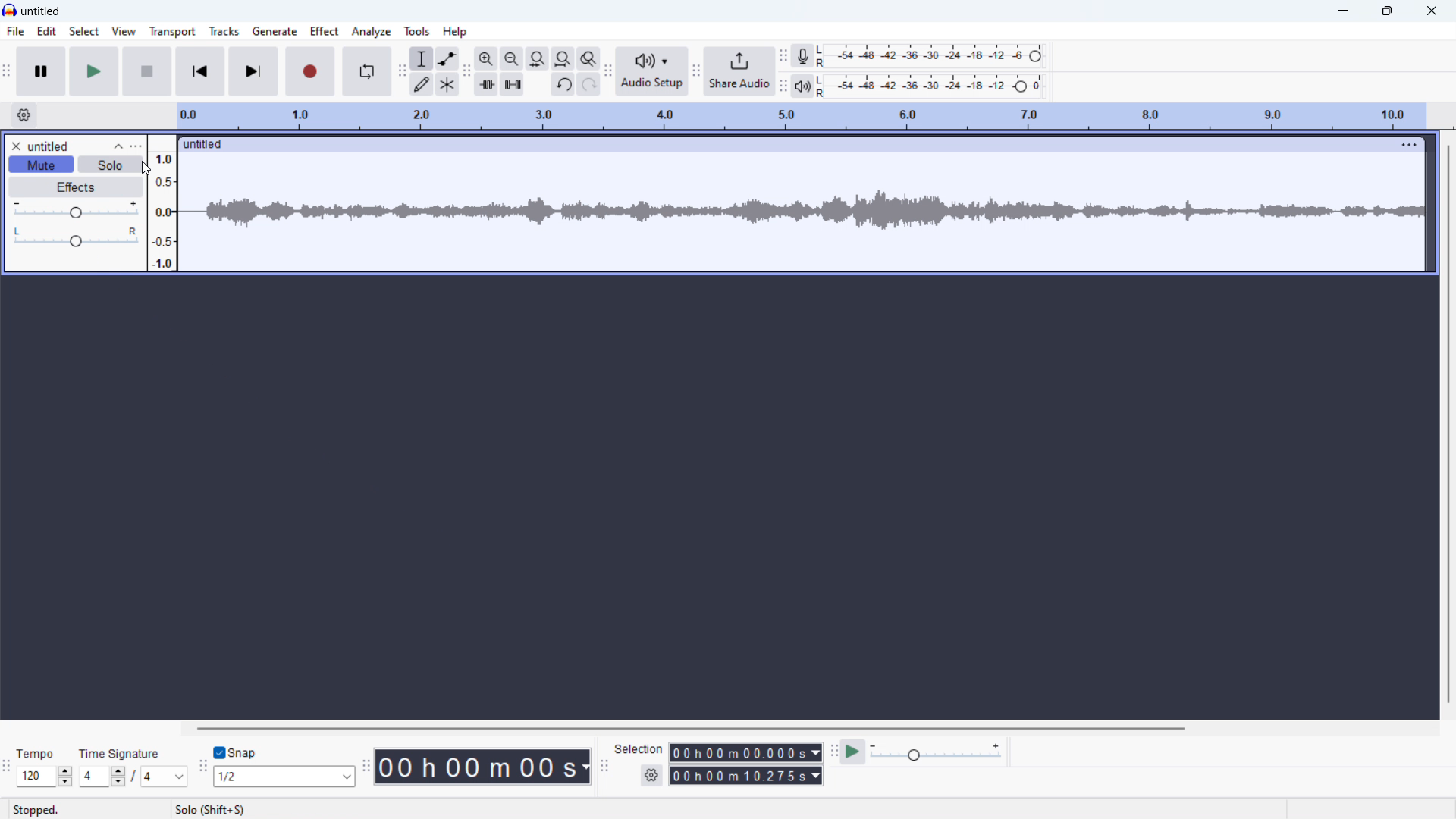  What do you see at coordinates (42, 165) in the screenshot?
I see `mute enabled` at bounding box center [42, 165].